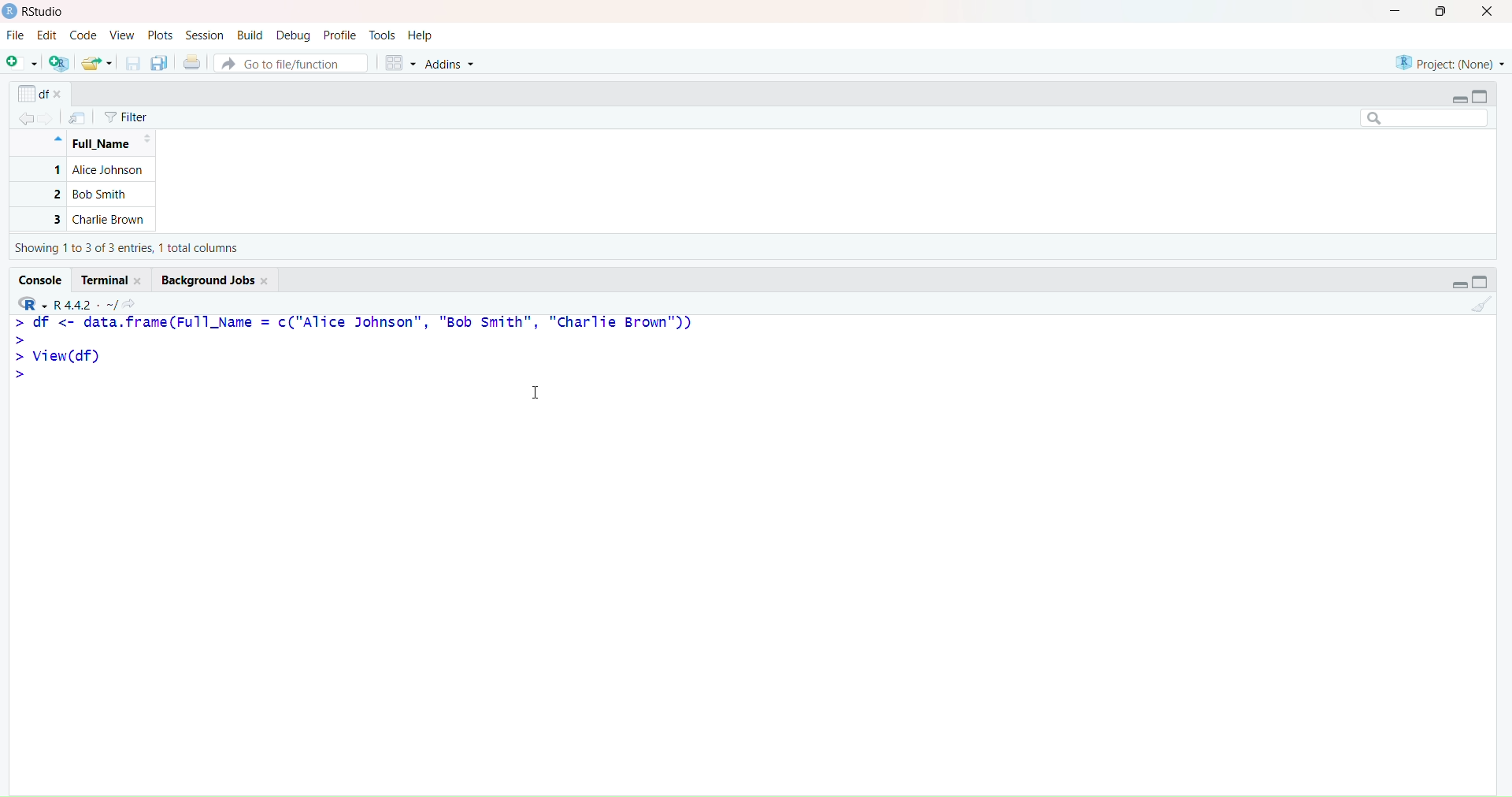  What do you see at coordinates (132, 250) in the screenshot?
I see `showing 1 to 3 of 3 entries, 1 total columns` at bounding box center [132, 250].